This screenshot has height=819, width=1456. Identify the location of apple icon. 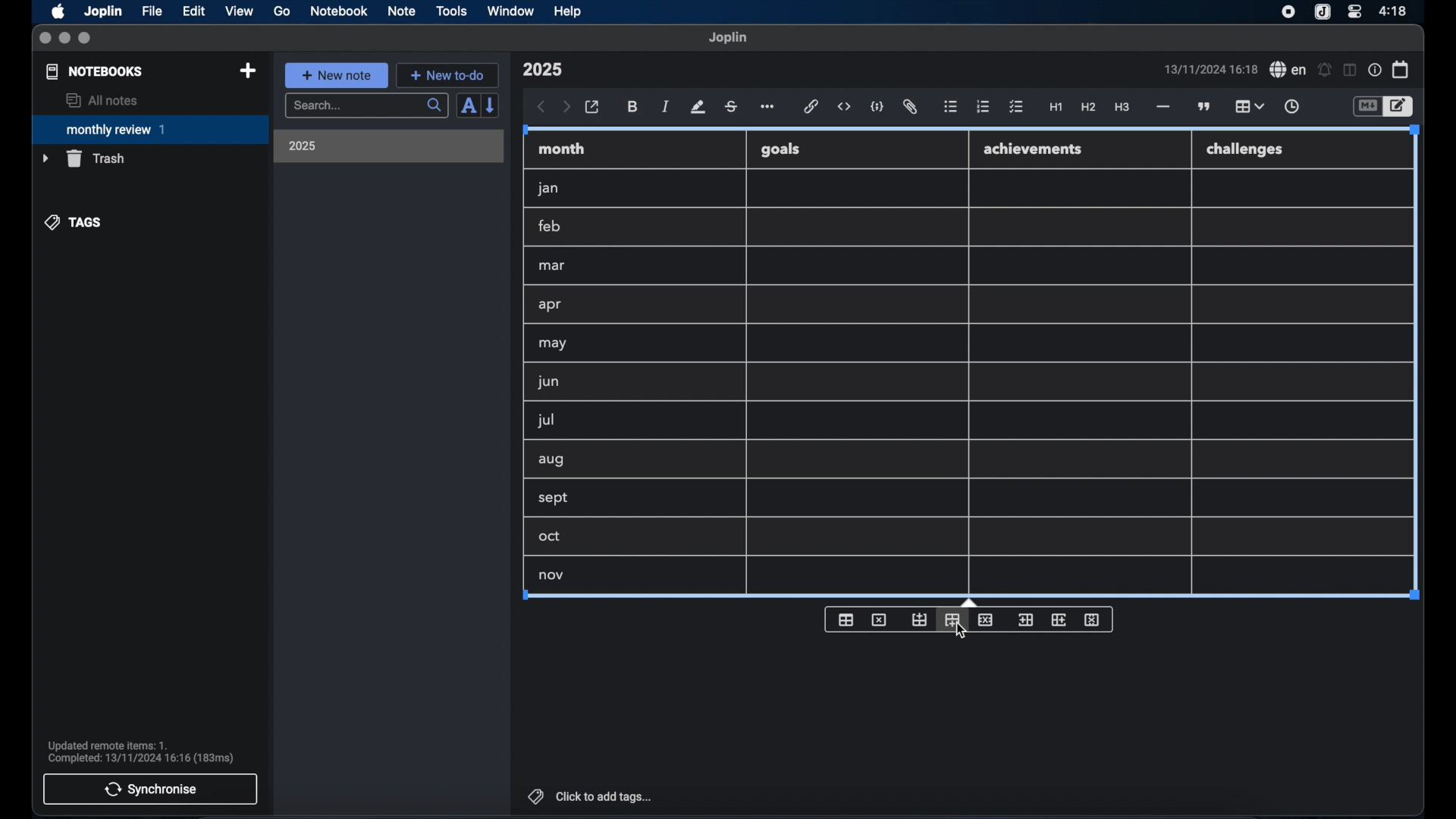
(57, 11).